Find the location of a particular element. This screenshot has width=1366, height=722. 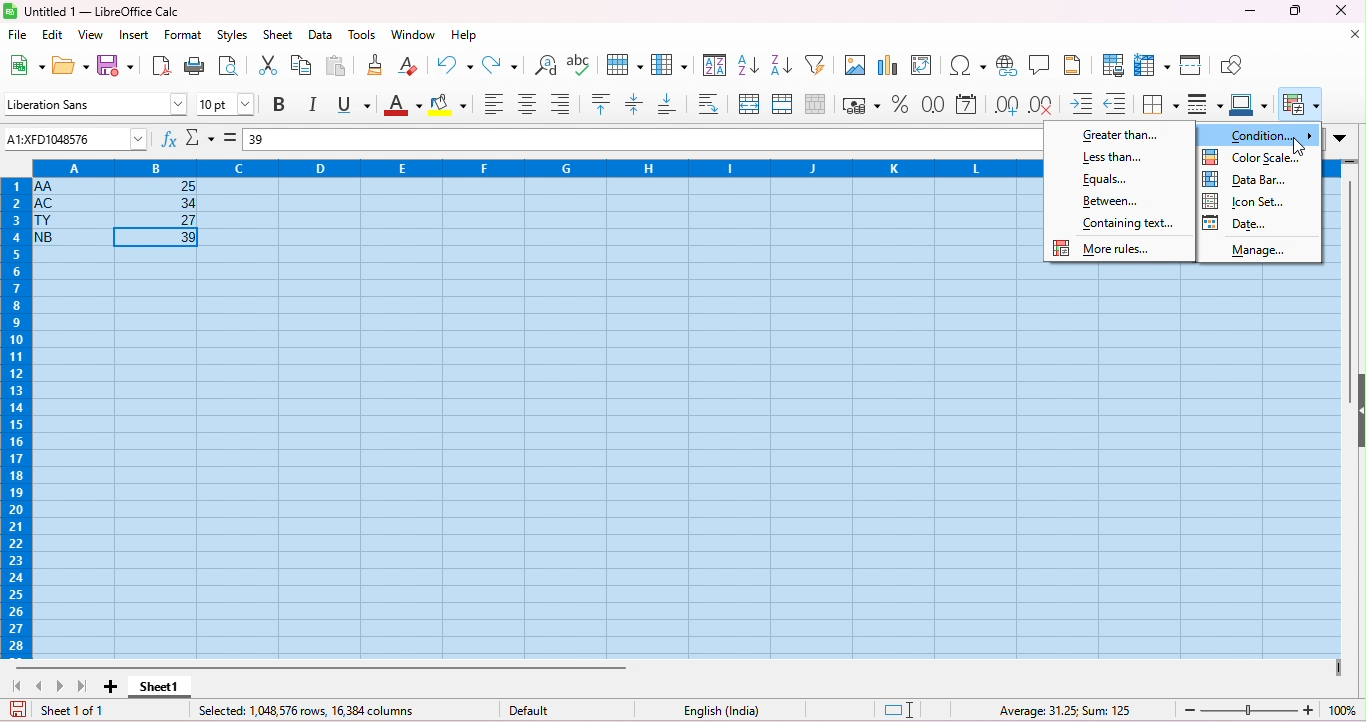

italics is located at coordinates (315, 105).